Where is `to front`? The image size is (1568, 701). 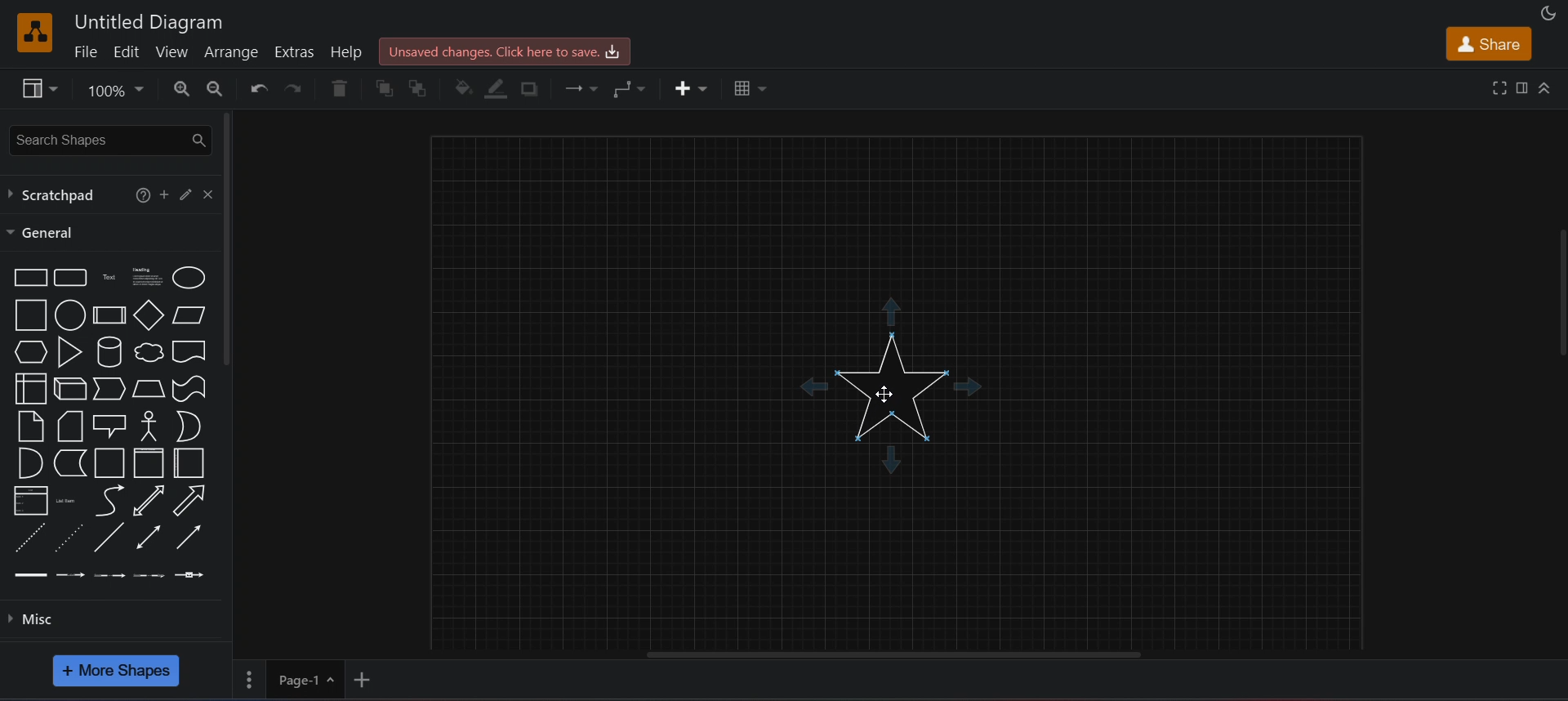 to front is located at coordinates (382, 89).